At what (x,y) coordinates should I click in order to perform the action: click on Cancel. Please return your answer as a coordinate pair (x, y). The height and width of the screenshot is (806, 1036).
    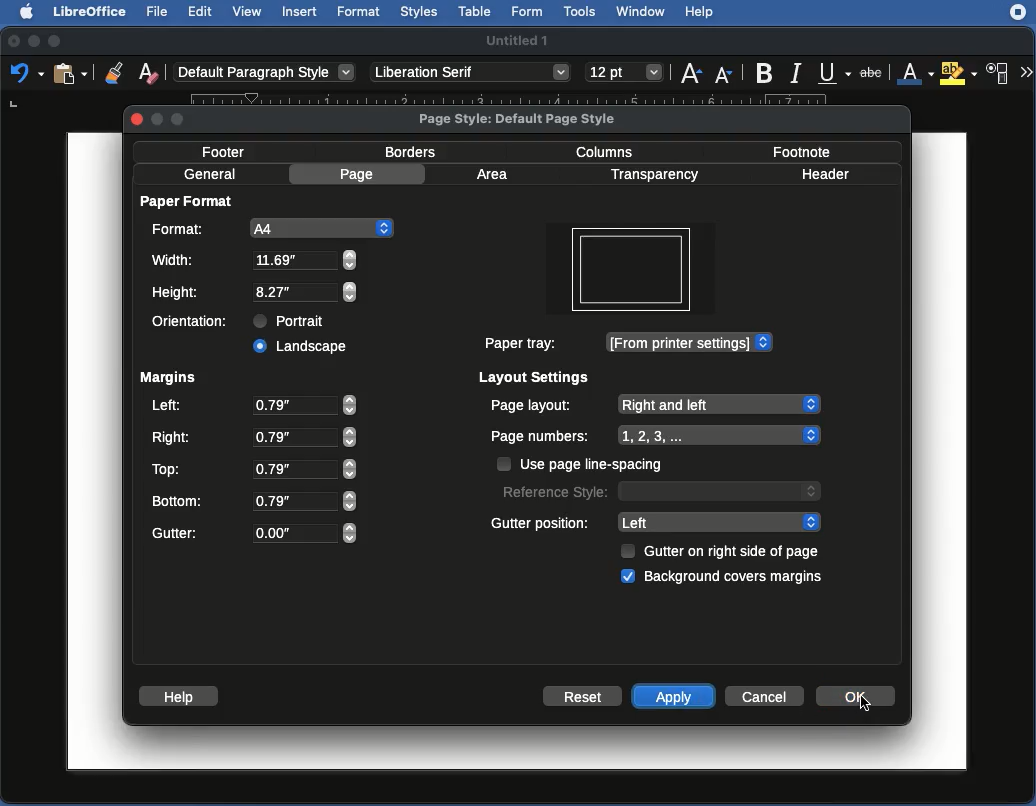
    Looking at the image, I should click on (765, 696).